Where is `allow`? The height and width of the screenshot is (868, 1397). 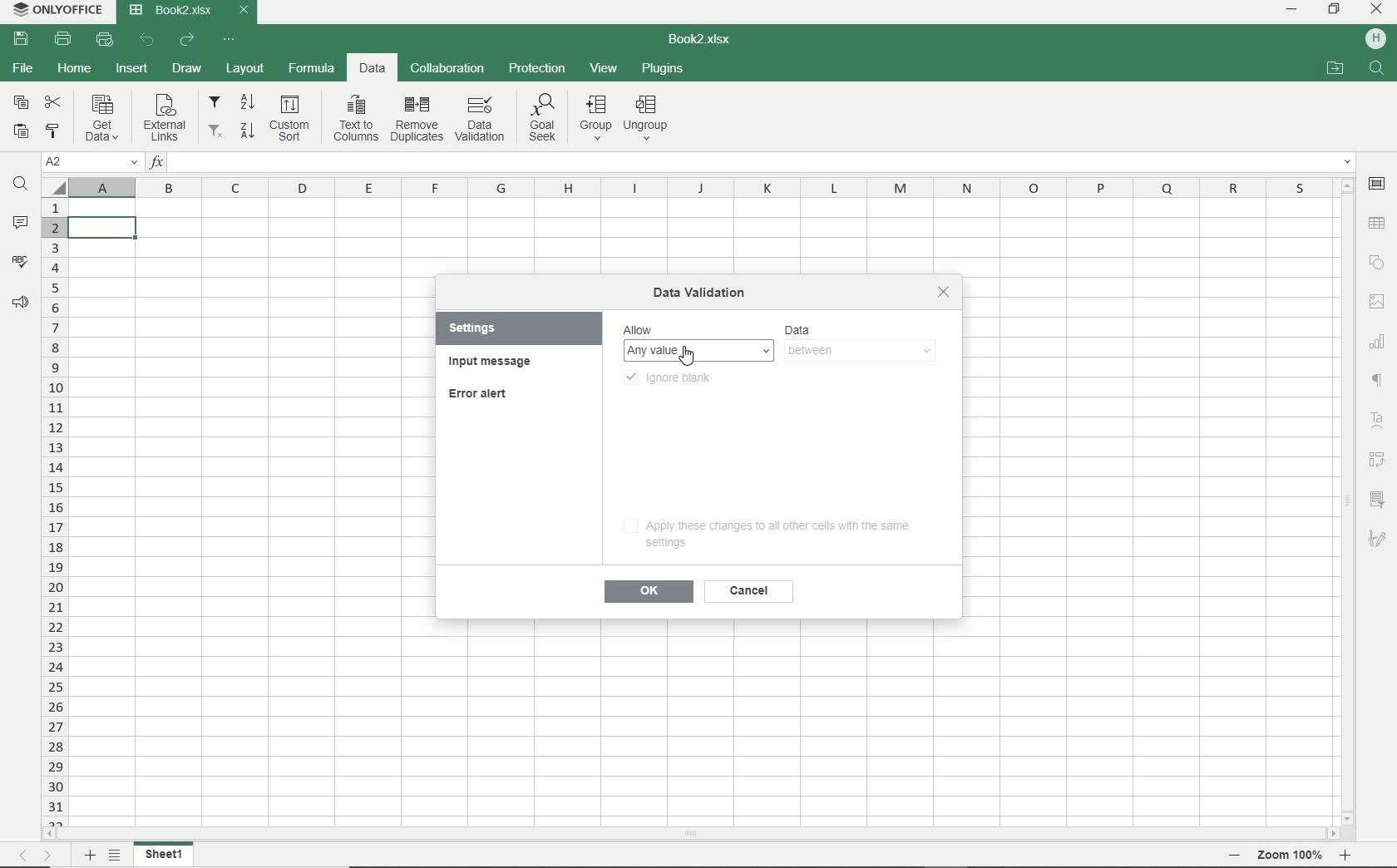 allow is located at coordinates (644, 329).